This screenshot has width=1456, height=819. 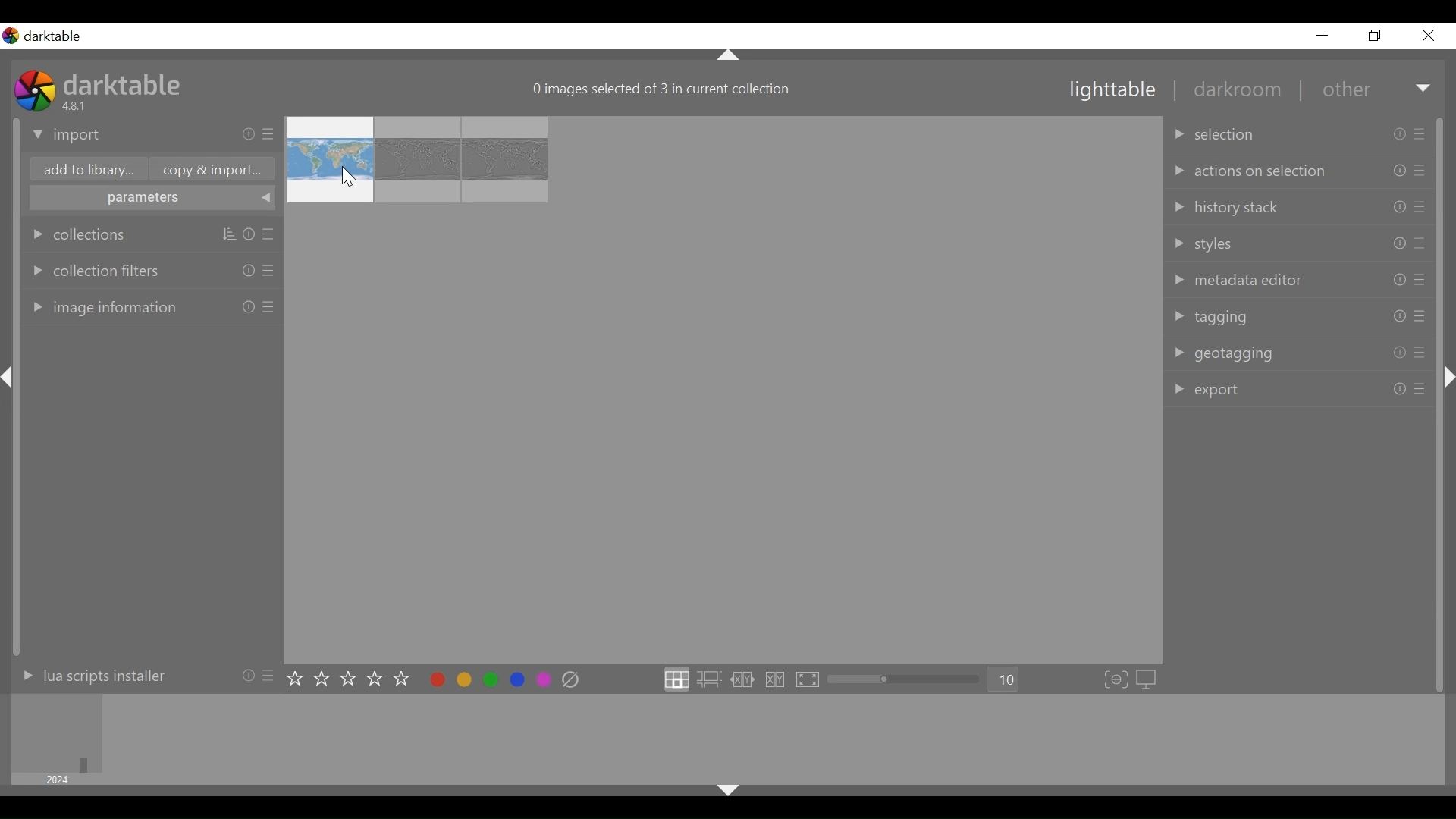 What do you see at coordinates (1301, 170) in the screenshot?
I see `action on selection` at bounding box center [1301, 170].